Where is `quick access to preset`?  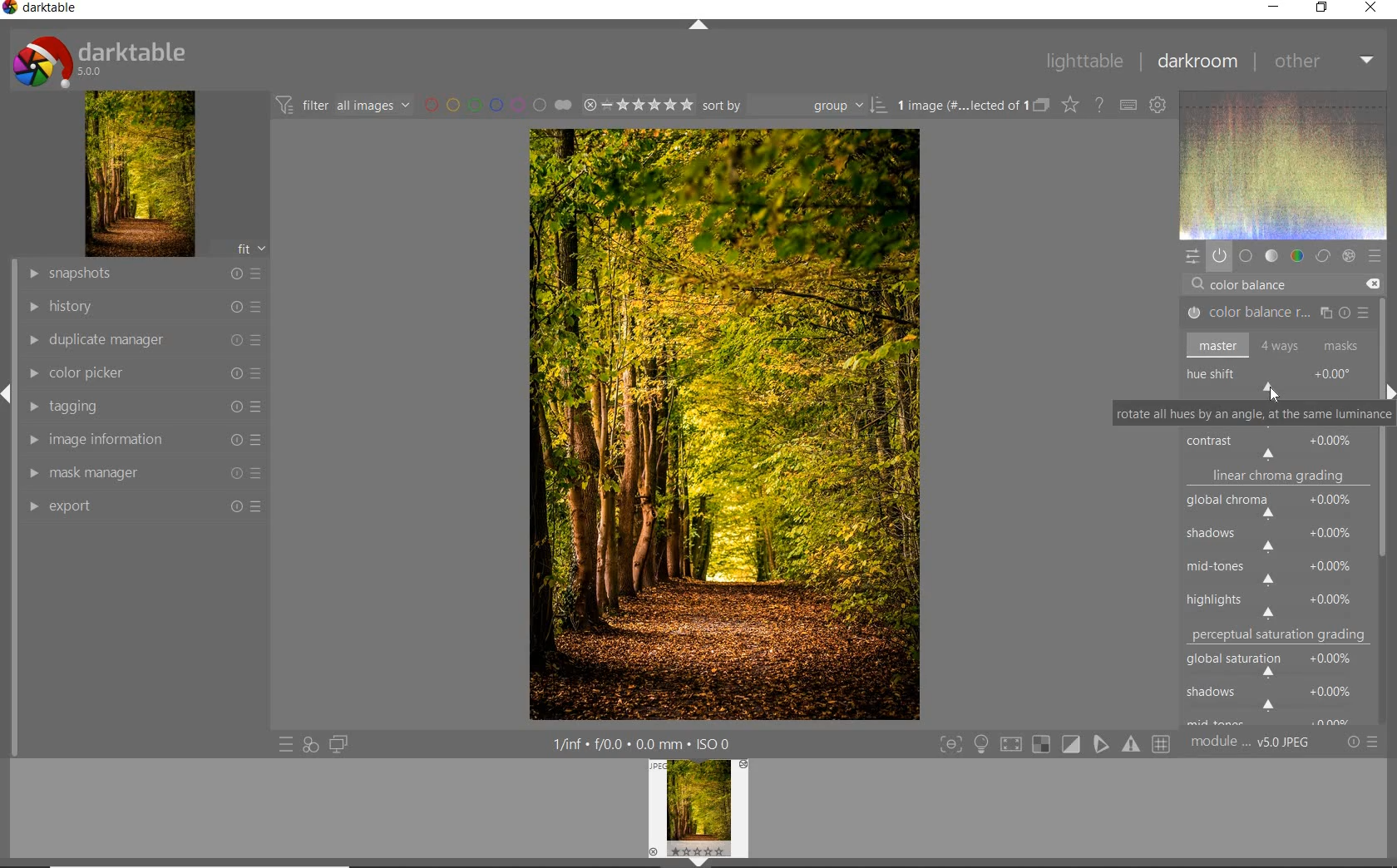
quick access to preset is located at coordinates (285, 742).